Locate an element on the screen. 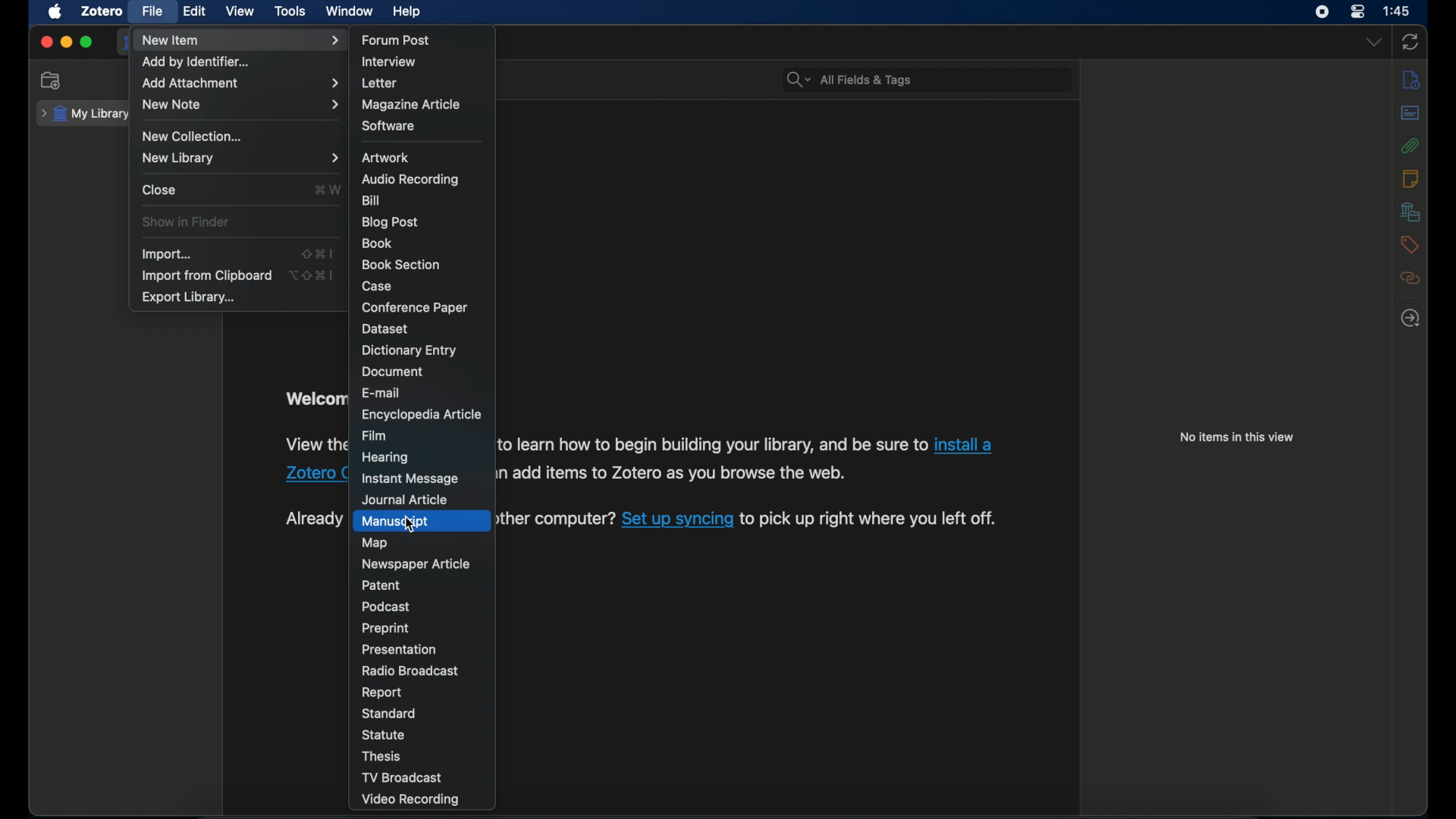  add attachment is located at coordinates (240, 83).